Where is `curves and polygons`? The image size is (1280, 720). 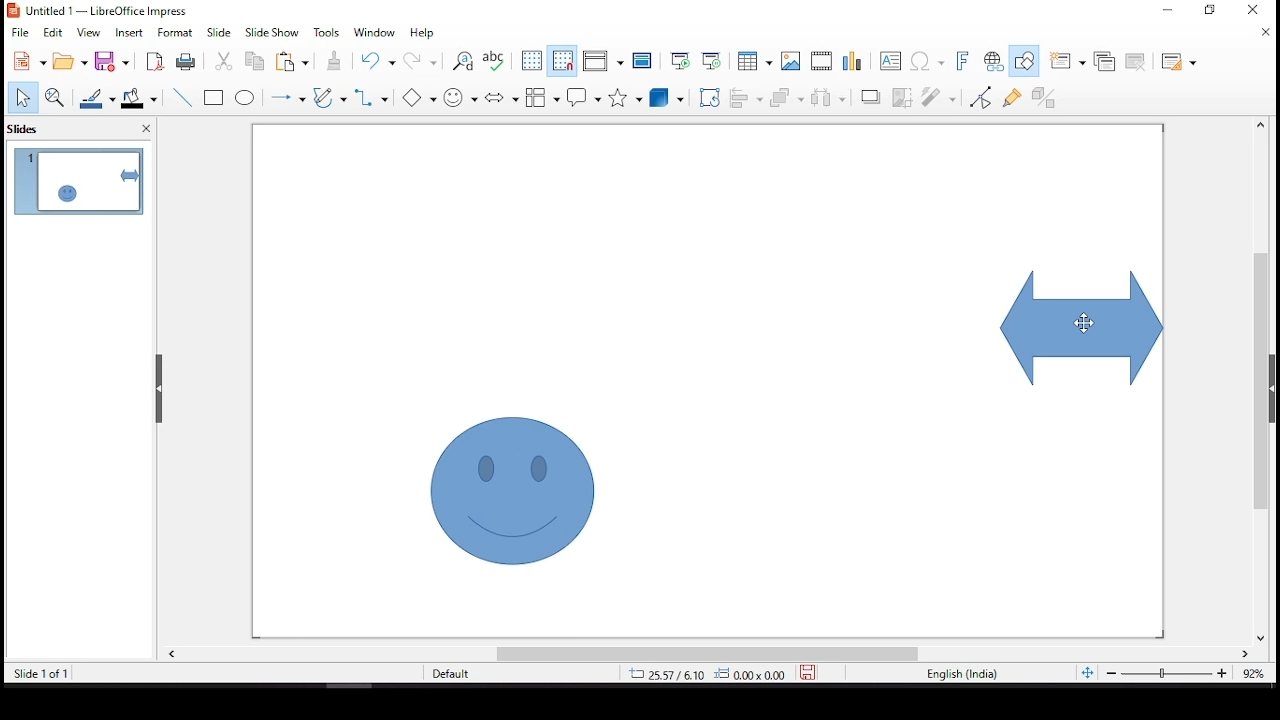
curves and polygons is located at coordinates (330, 99).